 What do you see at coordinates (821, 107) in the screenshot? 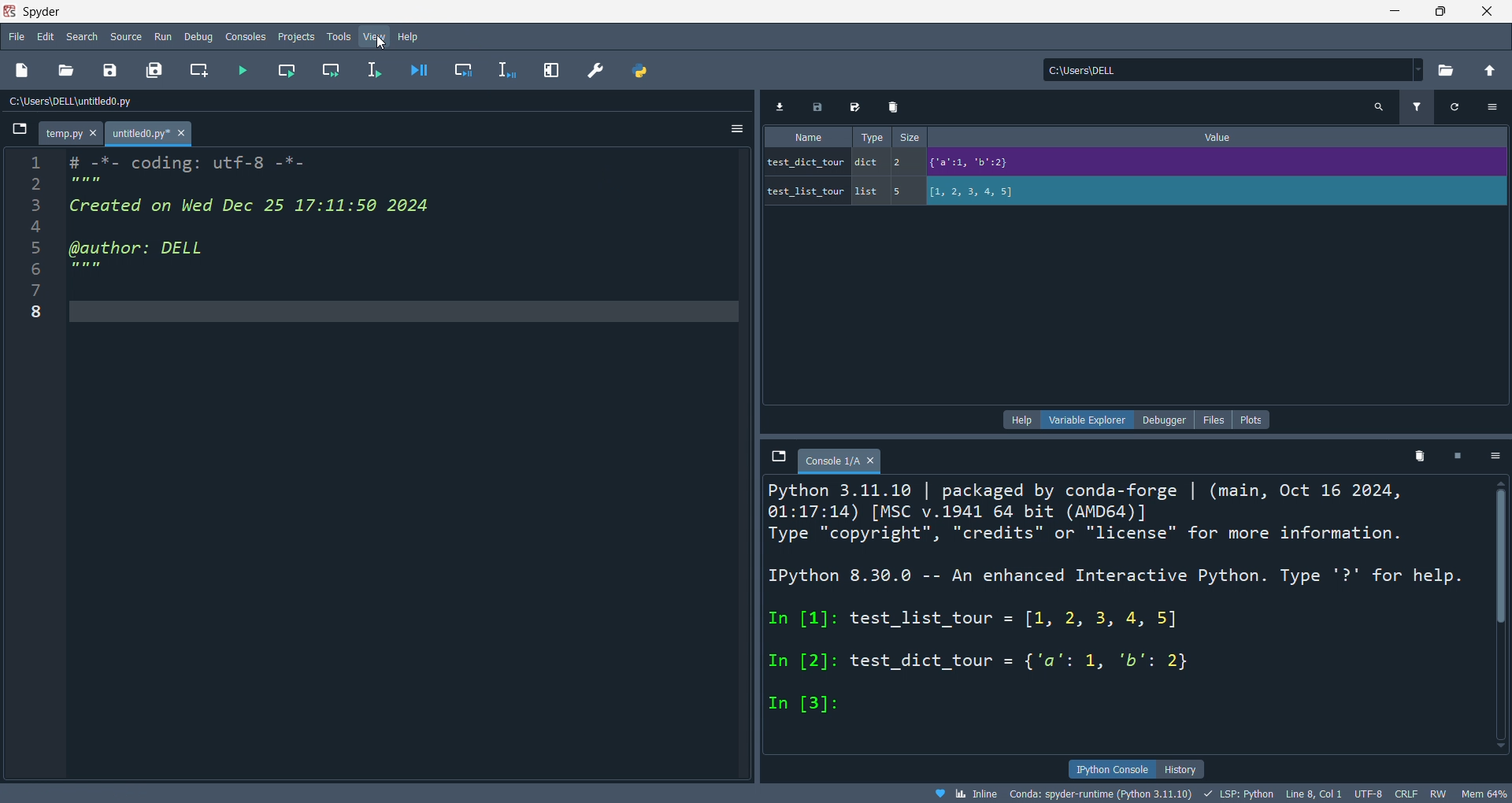
I see `save` at bounding box center [821, 107].